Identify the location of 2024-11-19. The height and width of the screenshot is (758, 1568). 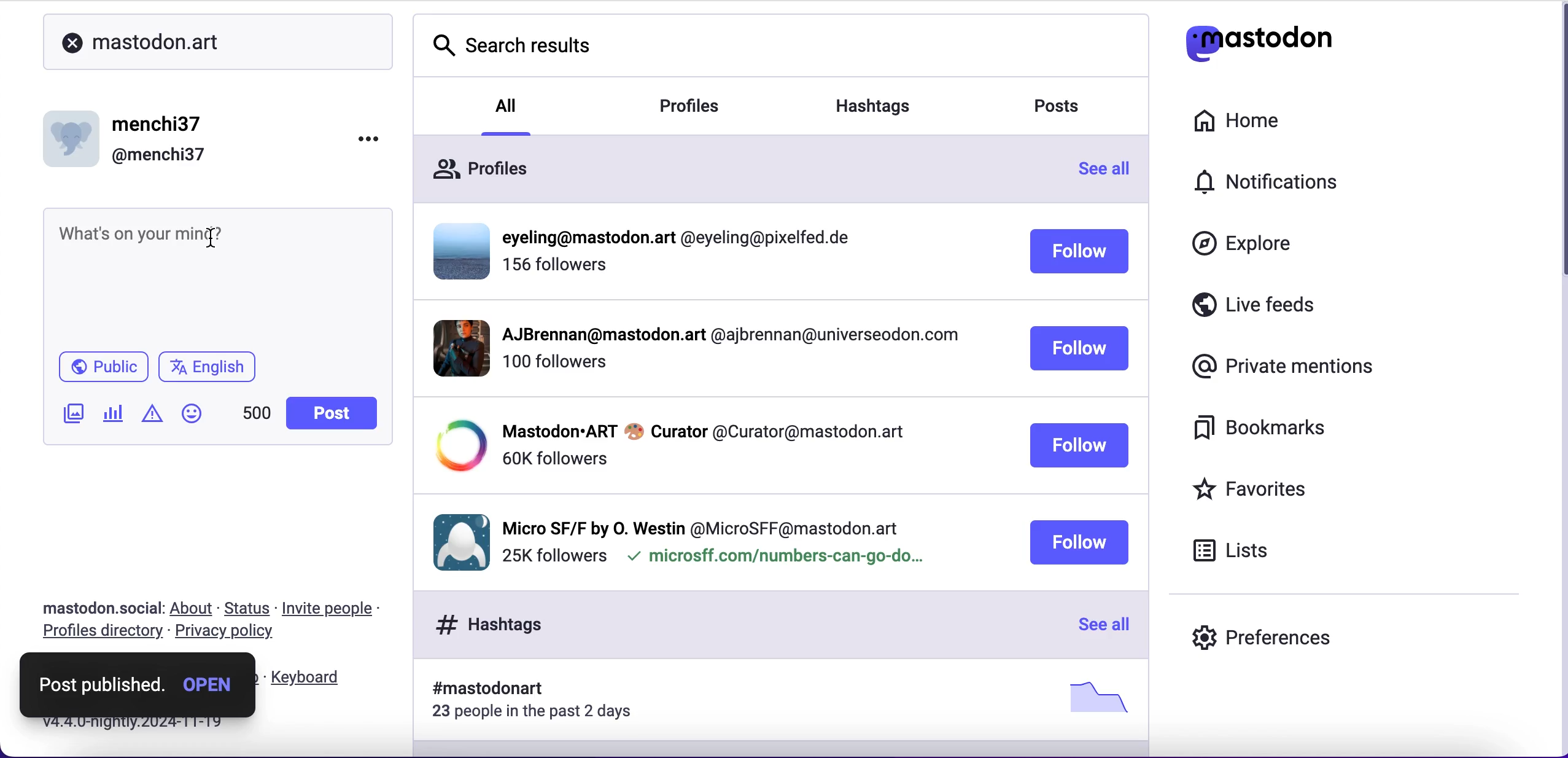
(166, 728).